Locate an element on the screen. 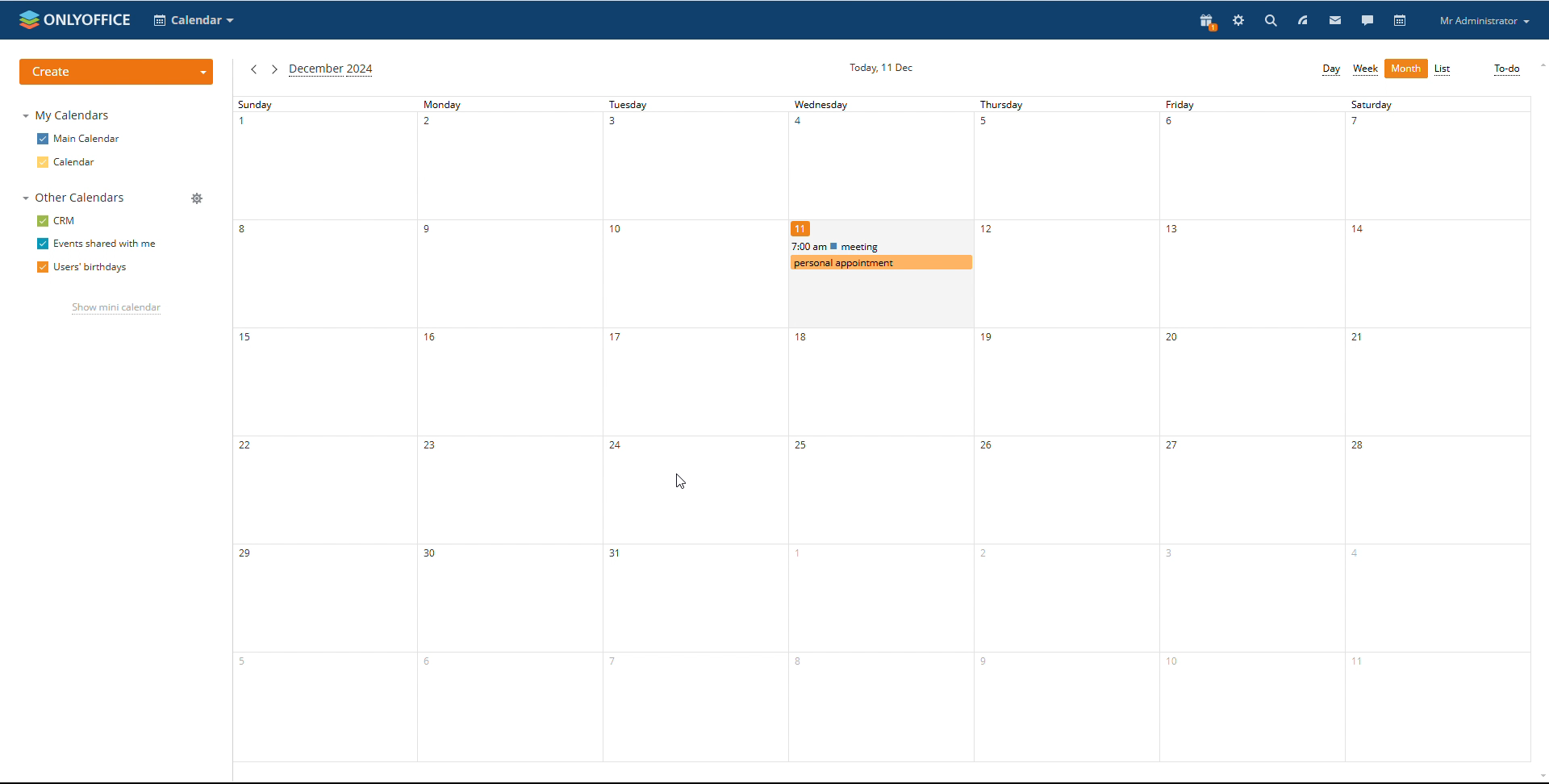  mouse pointer is located at coordinates (684, 482).